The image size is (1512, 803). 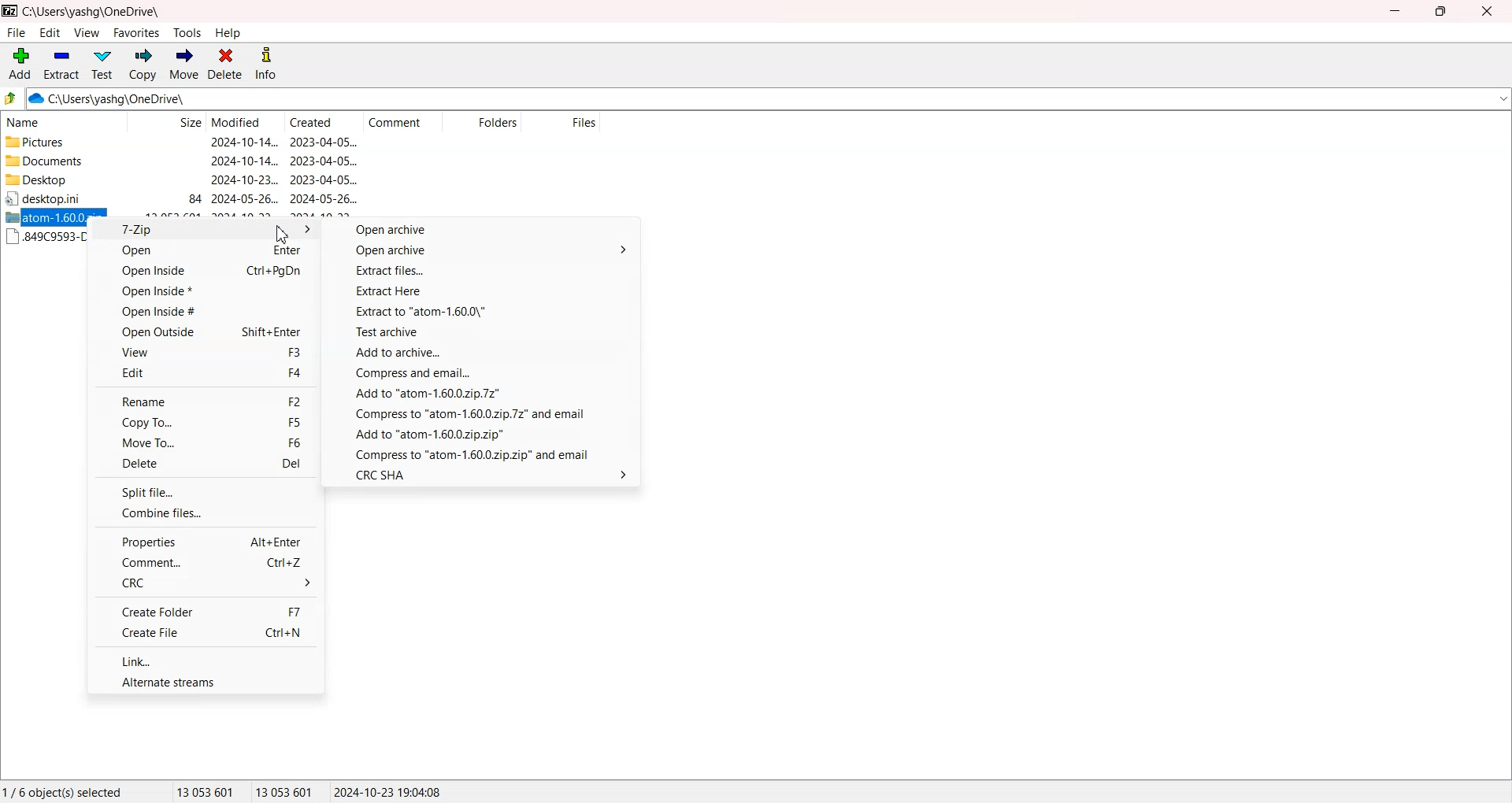 I want to click on Create Folder, so click(x=205, y=611).